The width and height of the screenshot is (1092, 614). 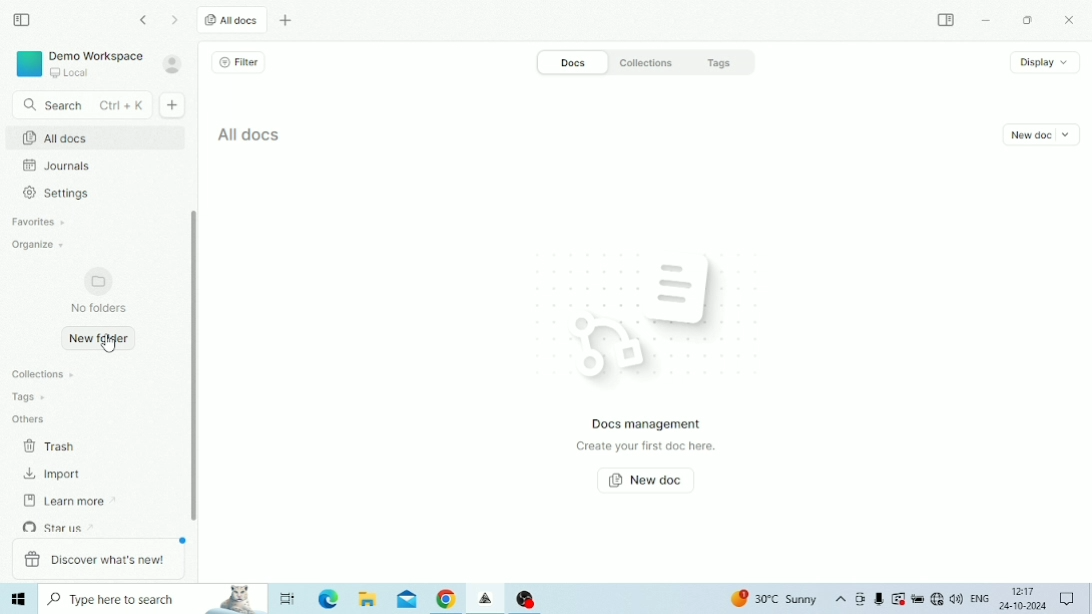 What do you see at coordinates (487, 599) in the screenshot?
I see `Affine` at bounding box center [487, 599].